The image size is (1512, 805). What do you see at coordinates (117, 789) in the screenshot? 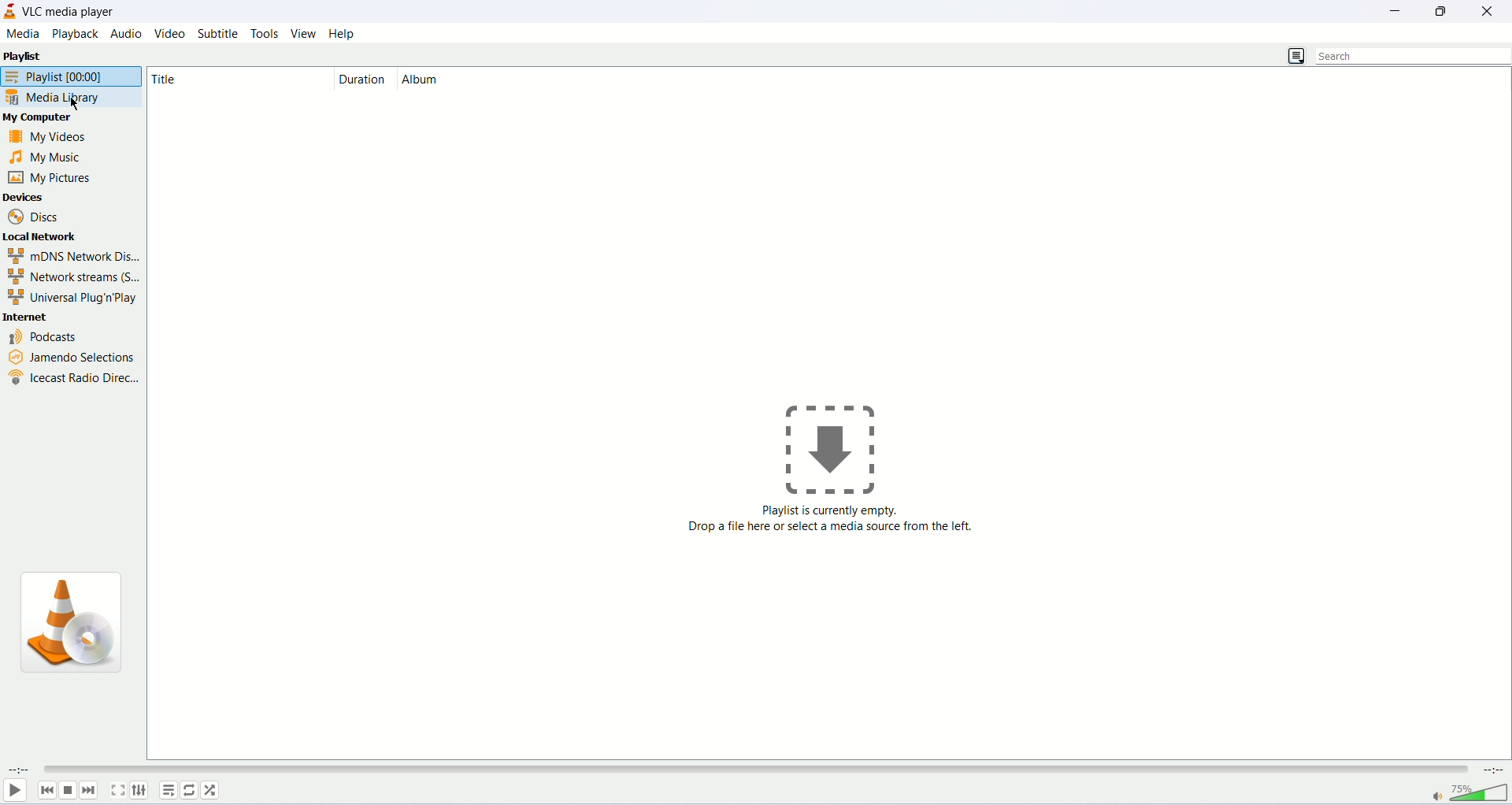
I see `fullscreen` at bounding box center [117, 789].